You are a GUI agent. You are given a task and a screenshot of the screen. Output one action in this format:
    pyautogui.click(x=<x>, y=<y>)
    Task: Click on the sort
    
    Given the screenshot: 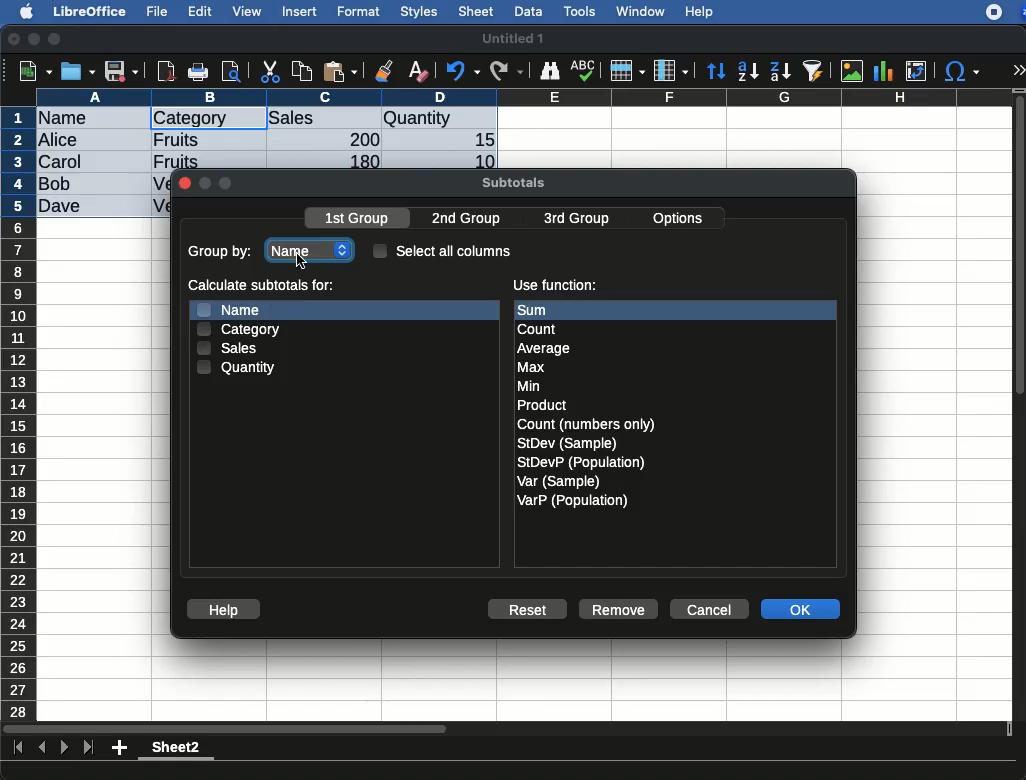 What is the action you would take?
    pyautogui.click(x=715, y=72)
    